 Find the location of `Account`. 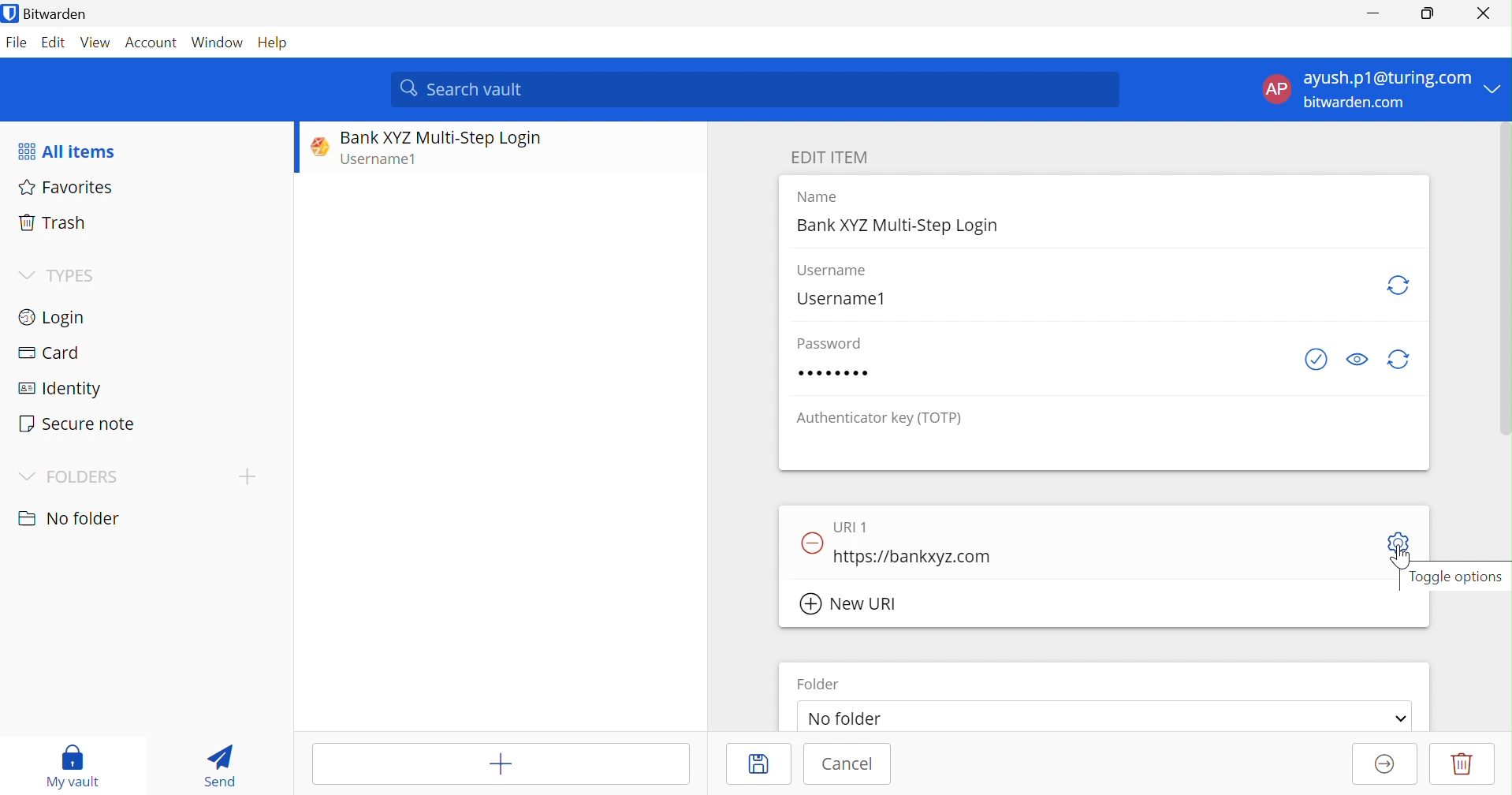

Account is located at coordinates (154, 46).